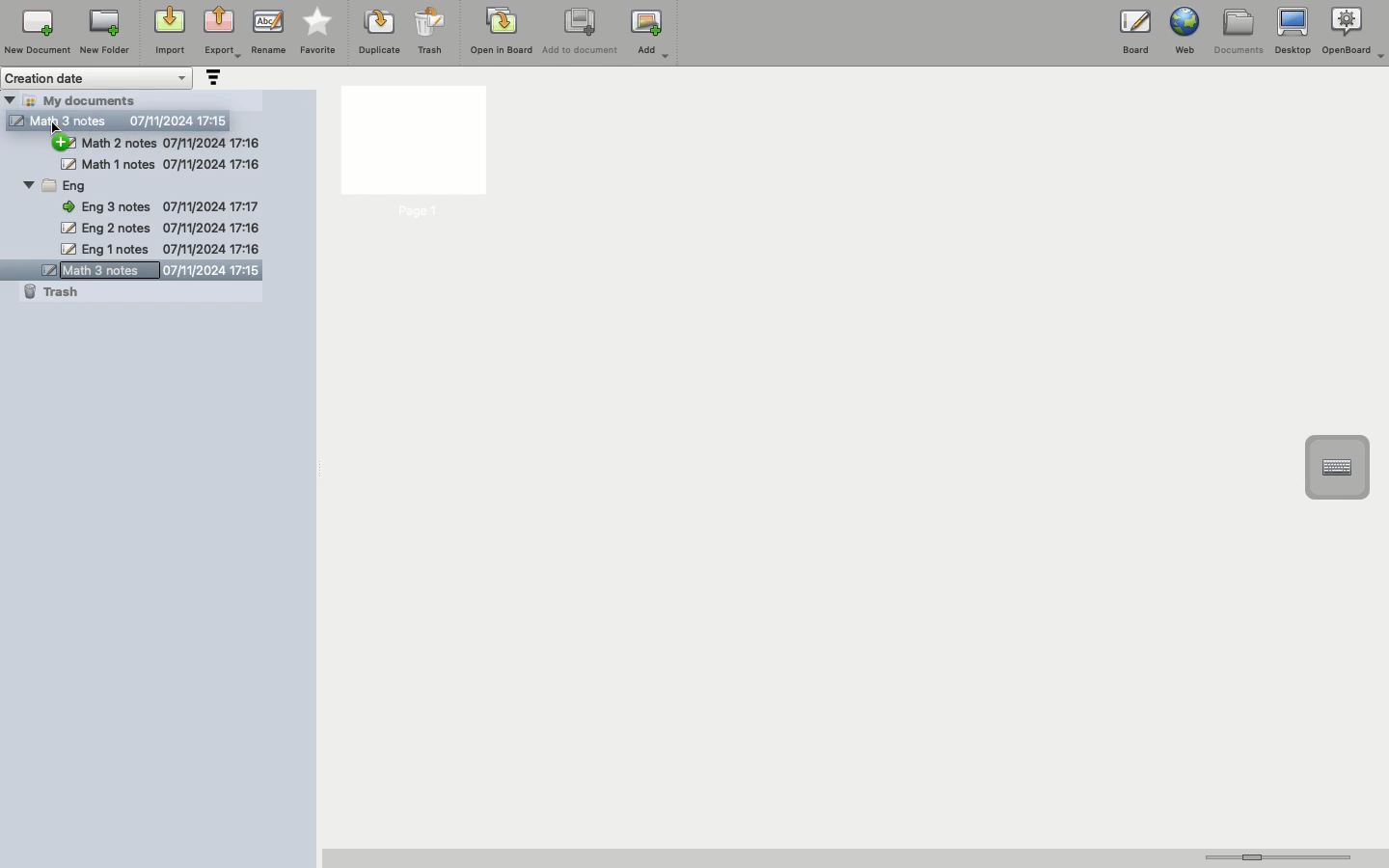  I want to click on My documents, so click(93, 99).